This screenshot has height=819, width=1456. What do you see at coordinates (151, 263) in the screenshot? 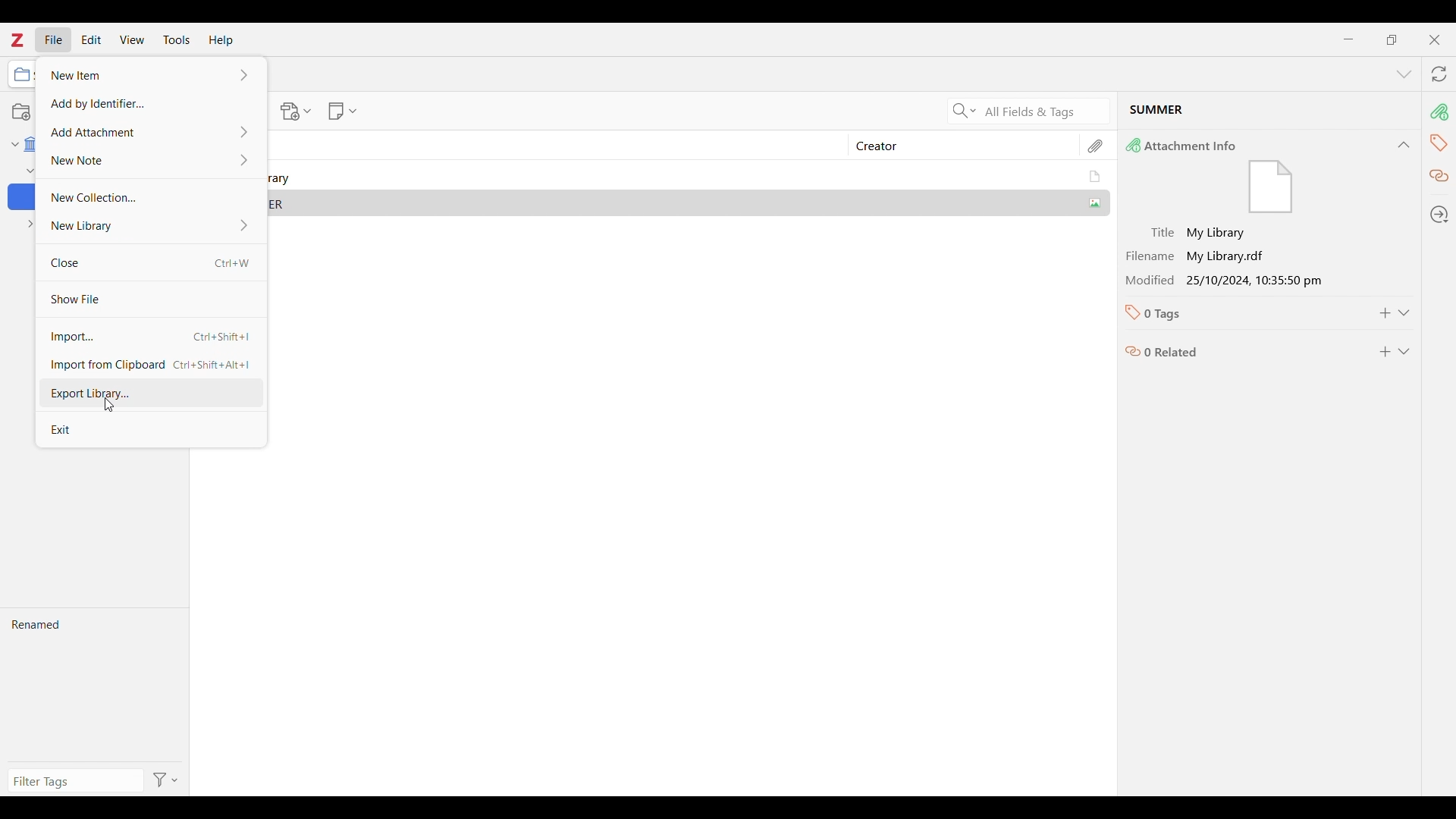
I see `Close` at bounding box center [151, 263].